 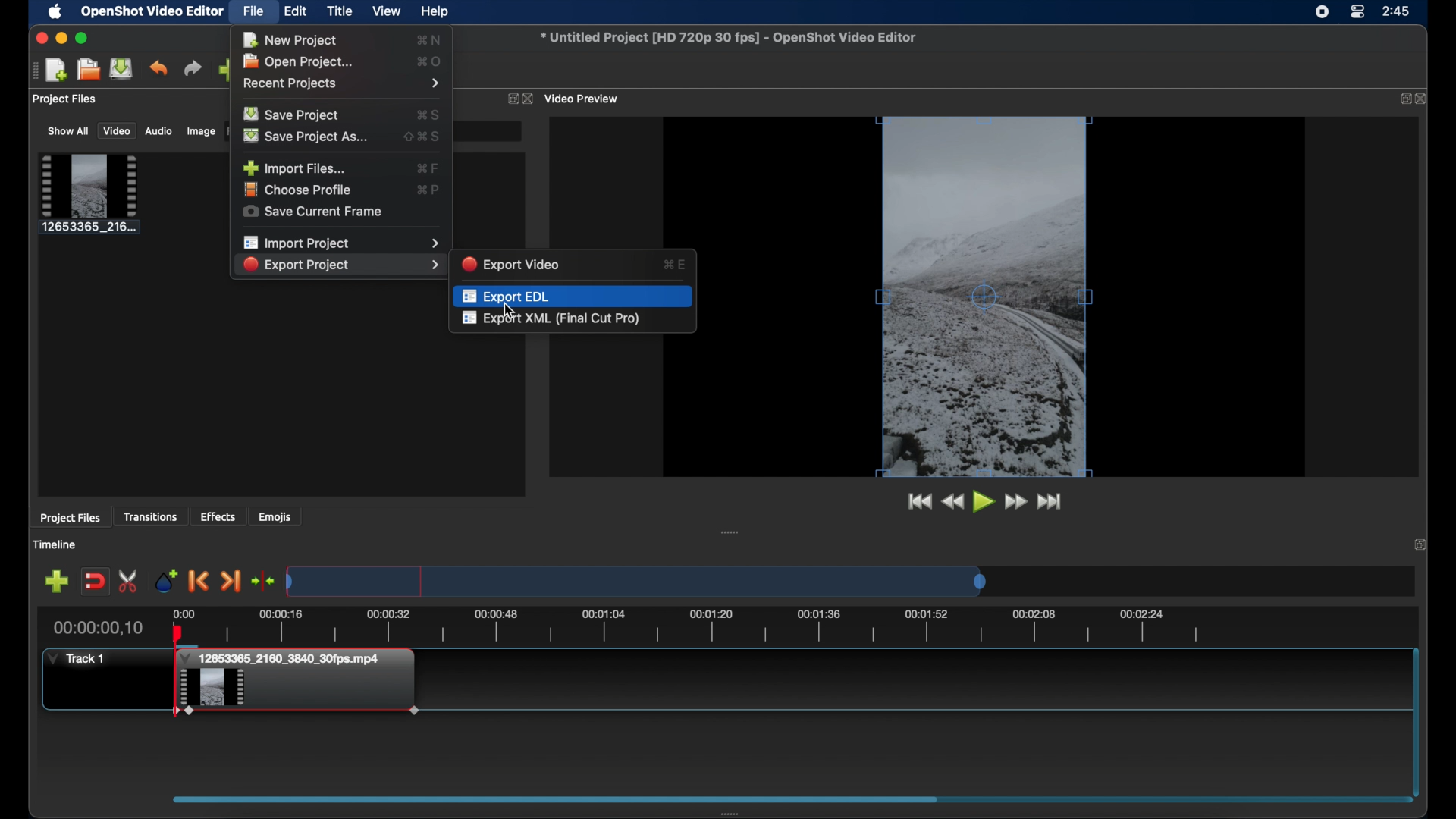 What do you see at coordinates (102, 626) in the screenshot?
I see `current time indicator` at bounding box center [102, 626].